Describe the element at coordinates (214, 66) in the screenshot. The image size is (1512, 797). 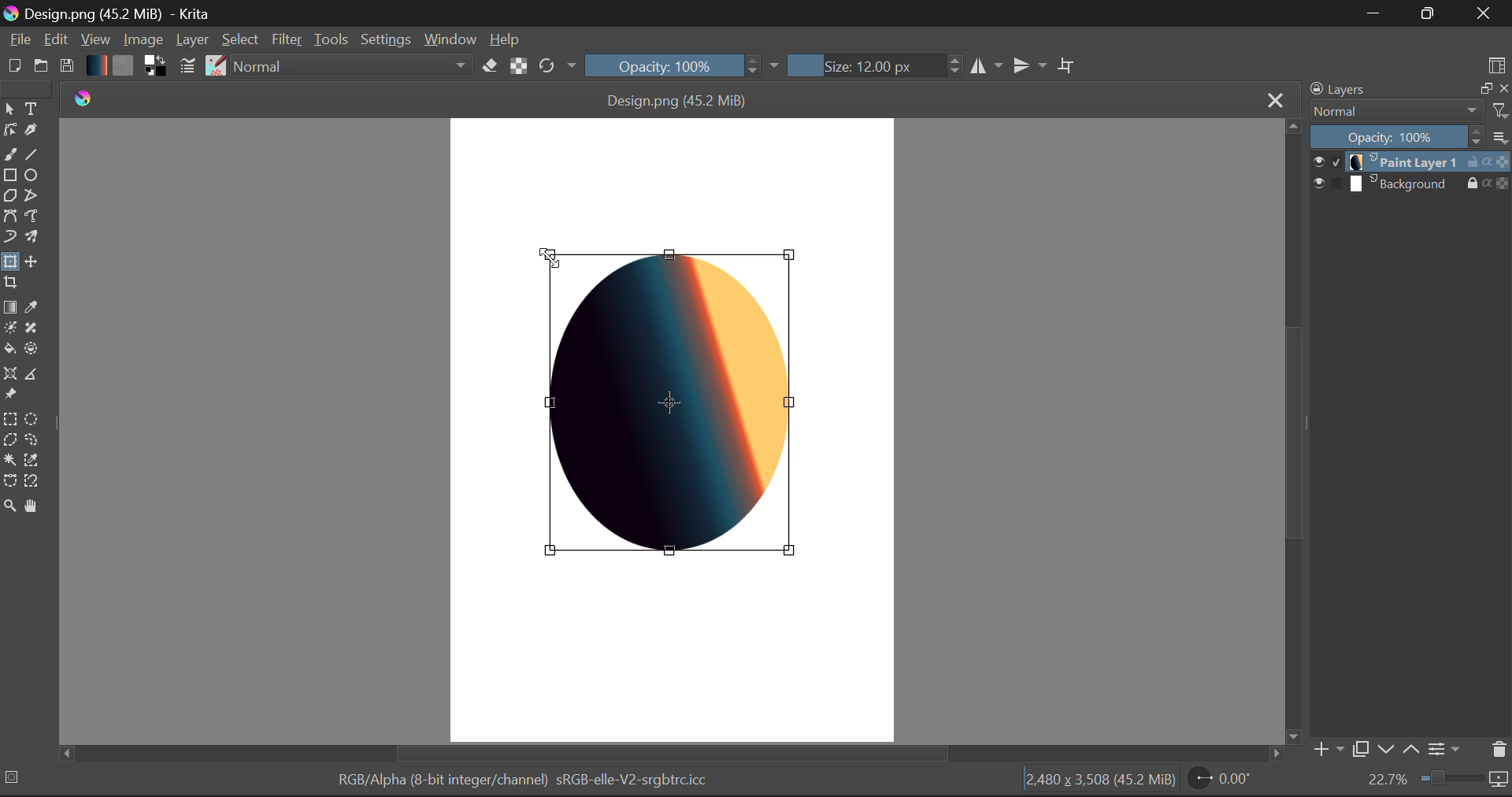
I see `Brush Presets` at that location.